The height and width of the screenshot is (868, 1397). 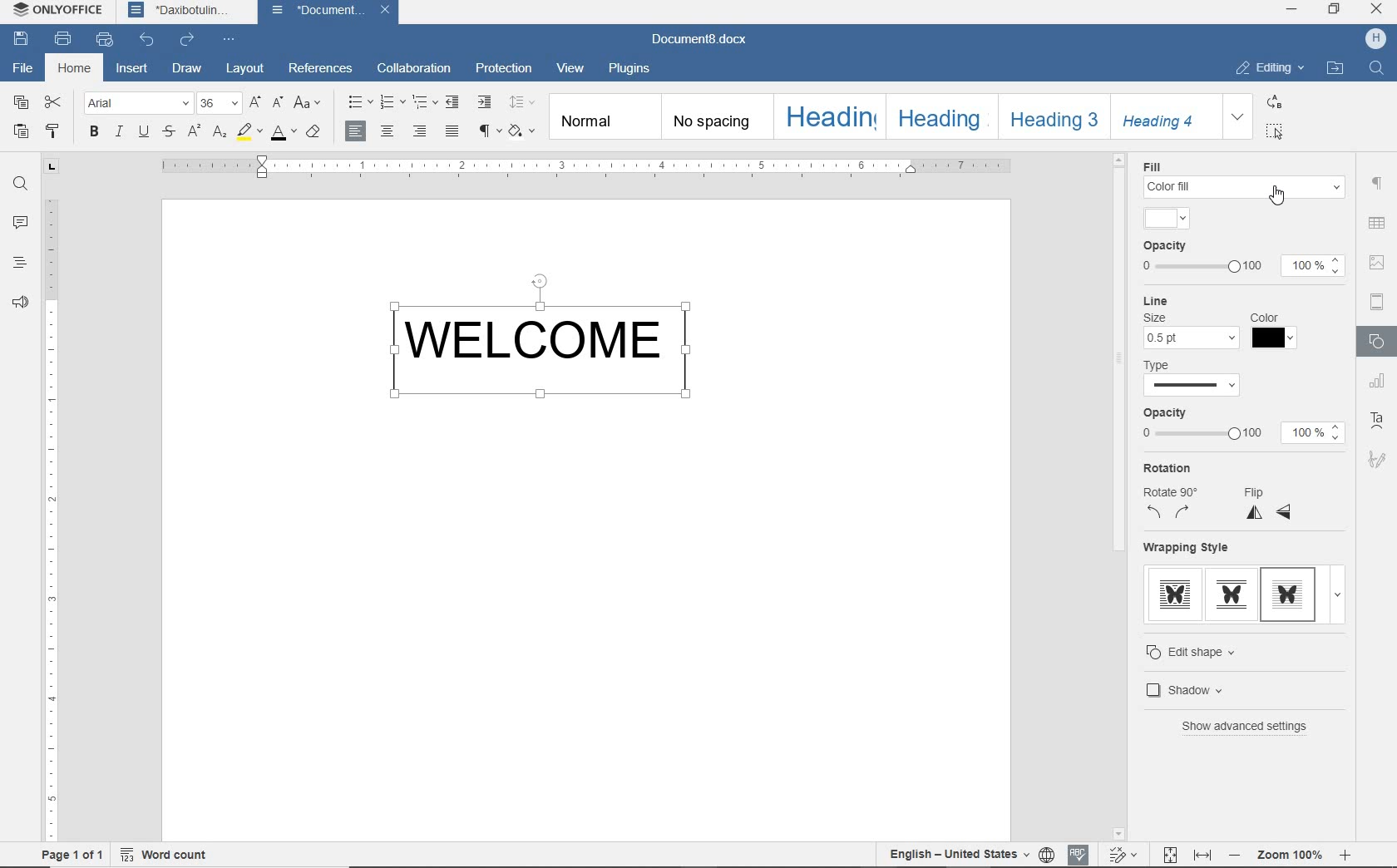 I want to click on FONT COLOR, so click(x=282, y=134).